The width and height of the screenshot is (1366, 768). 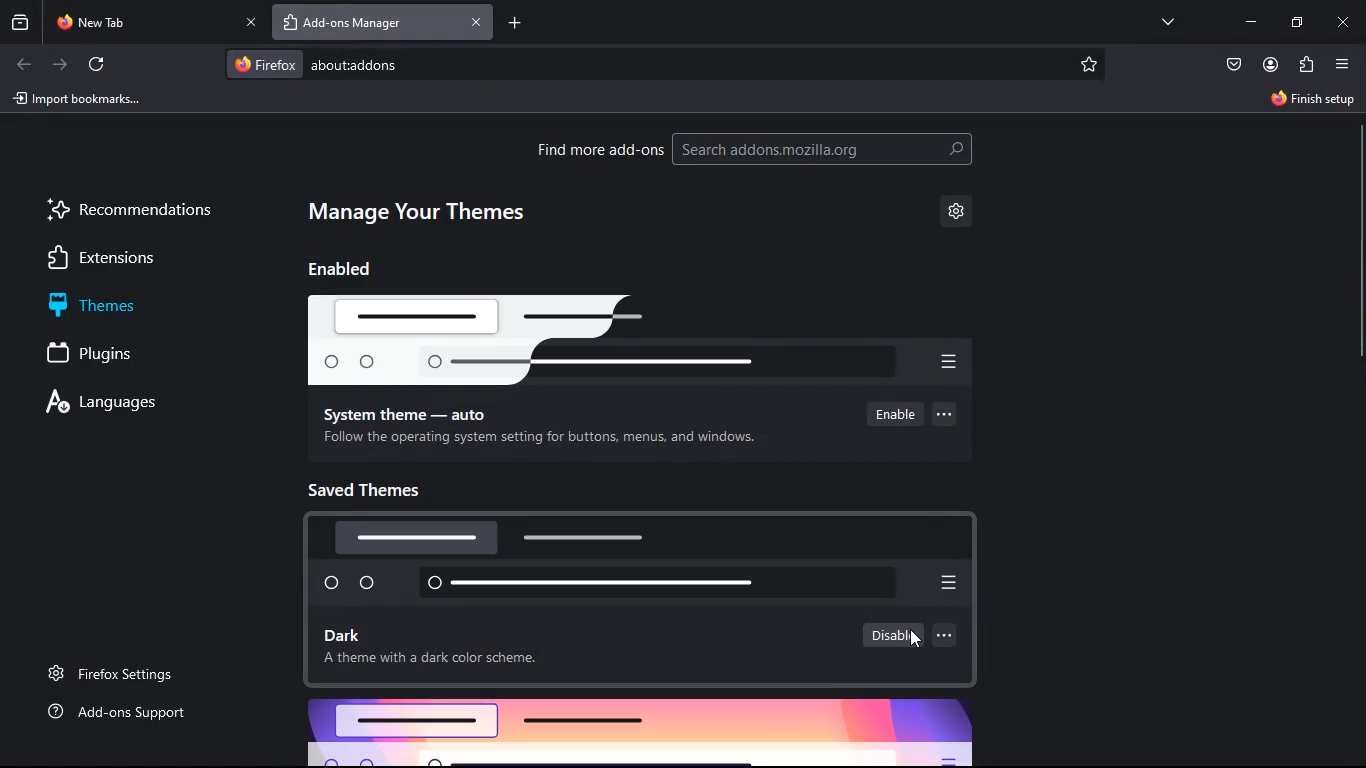 I want to click on logo, so click(x=640, y=562).